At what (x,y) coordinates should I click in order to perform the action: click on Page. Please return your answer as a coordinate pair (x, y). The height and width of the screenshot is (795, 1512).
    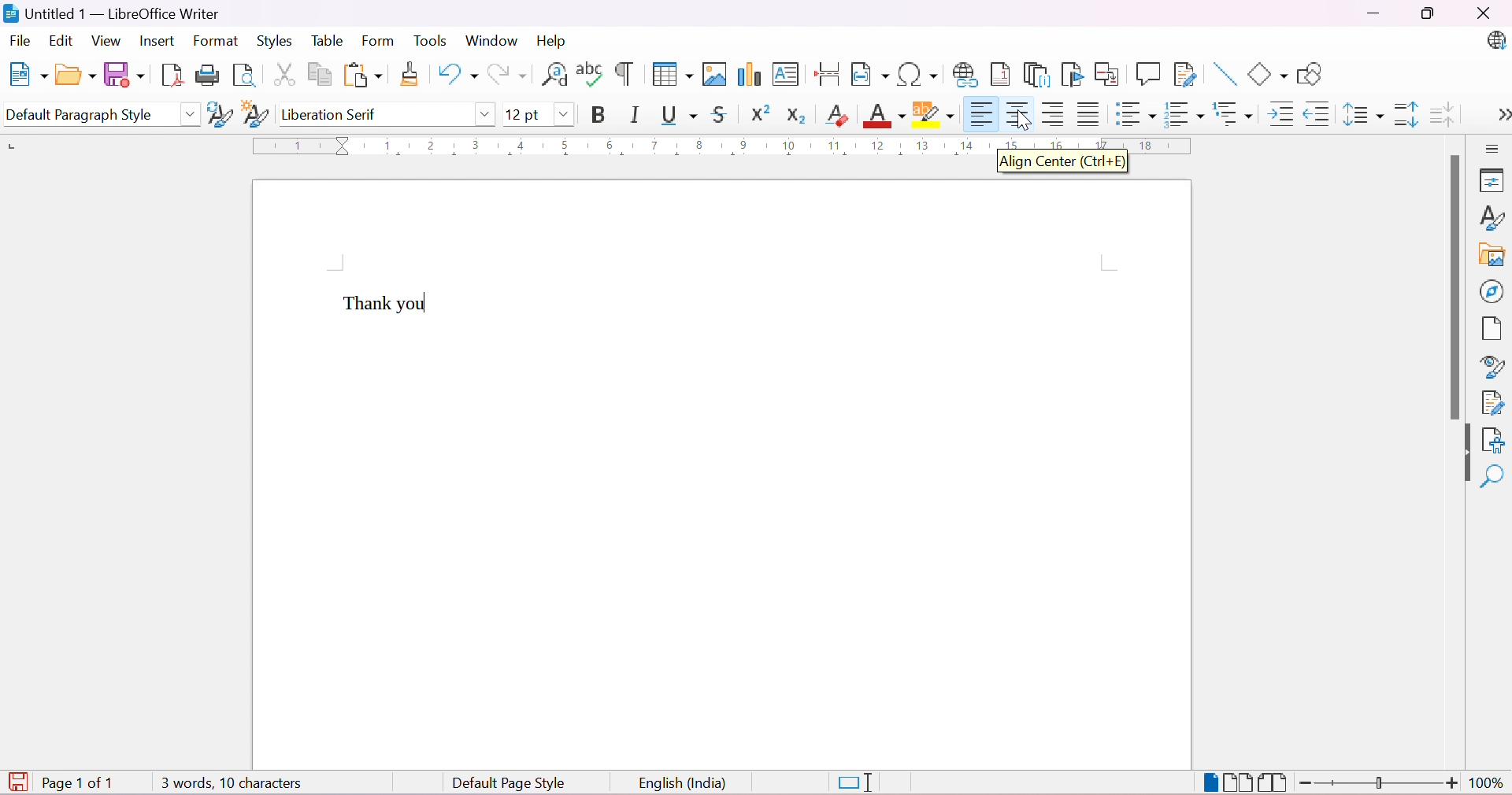
    Looking at the image, I should click on (1488, 328).